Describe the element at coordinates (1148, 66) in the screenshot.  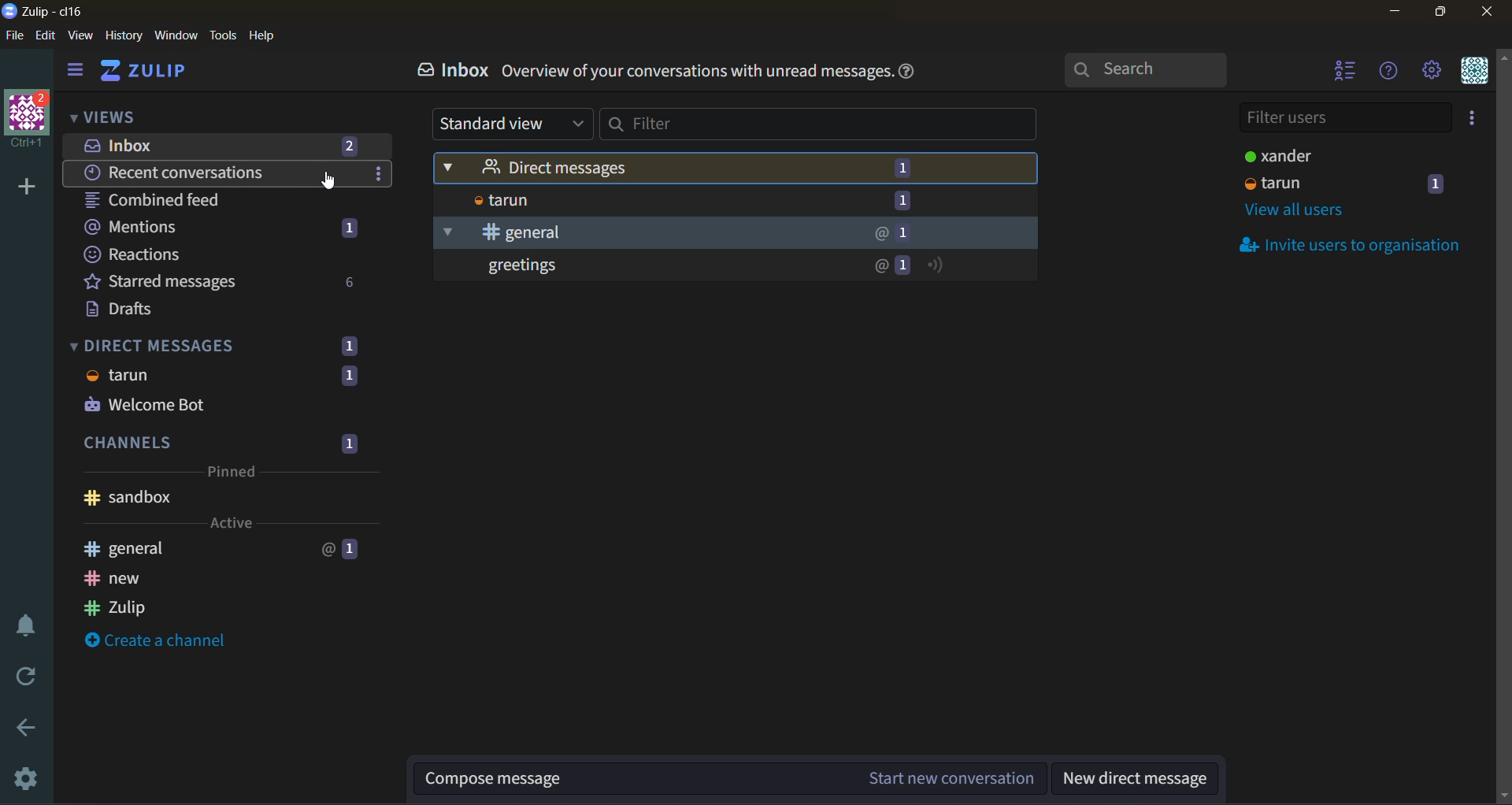
I see `search` at that location.